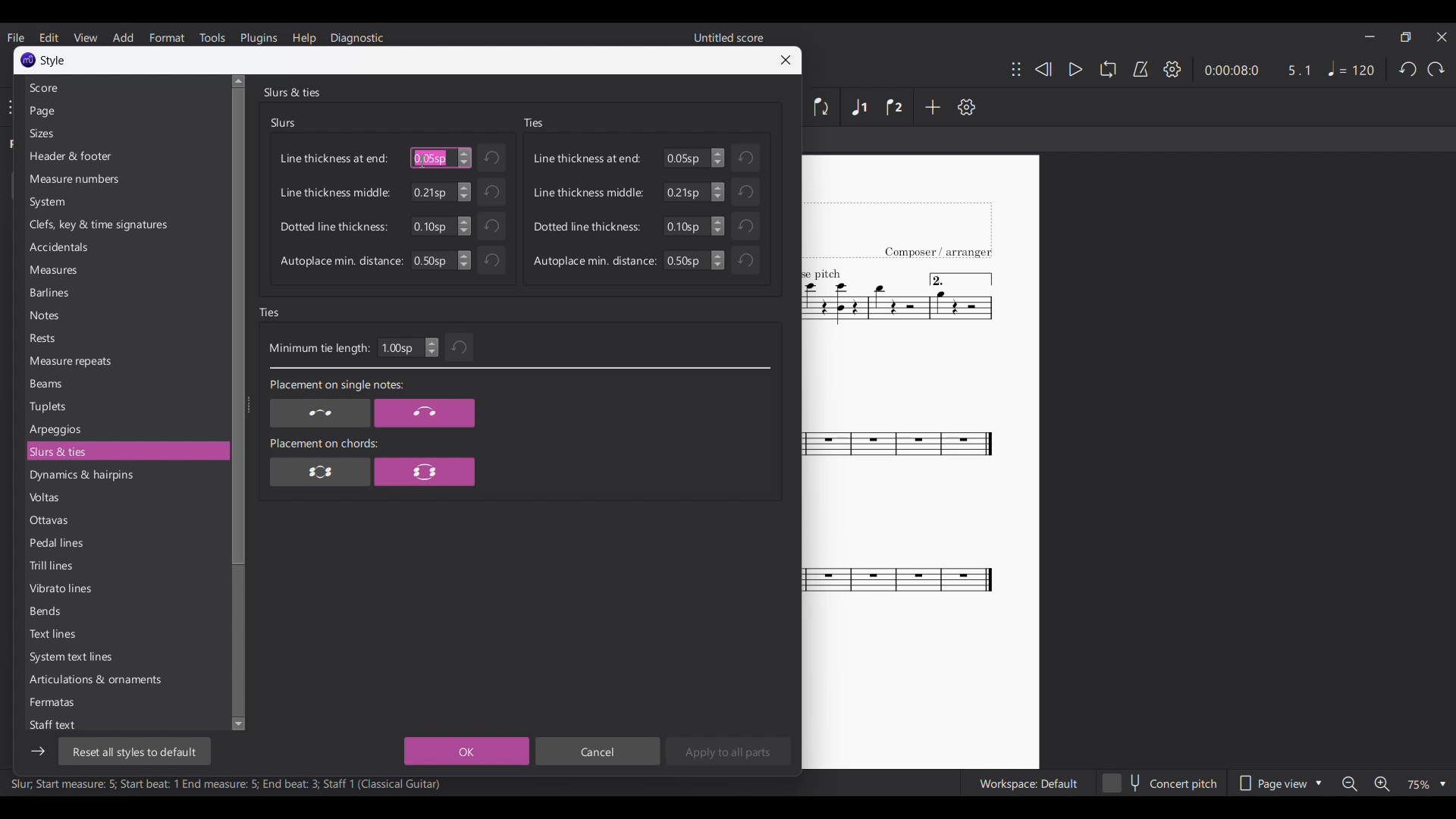  Describe the element at coordinates (1141, 69) in the screenshot. I see `Metronome` at that location.